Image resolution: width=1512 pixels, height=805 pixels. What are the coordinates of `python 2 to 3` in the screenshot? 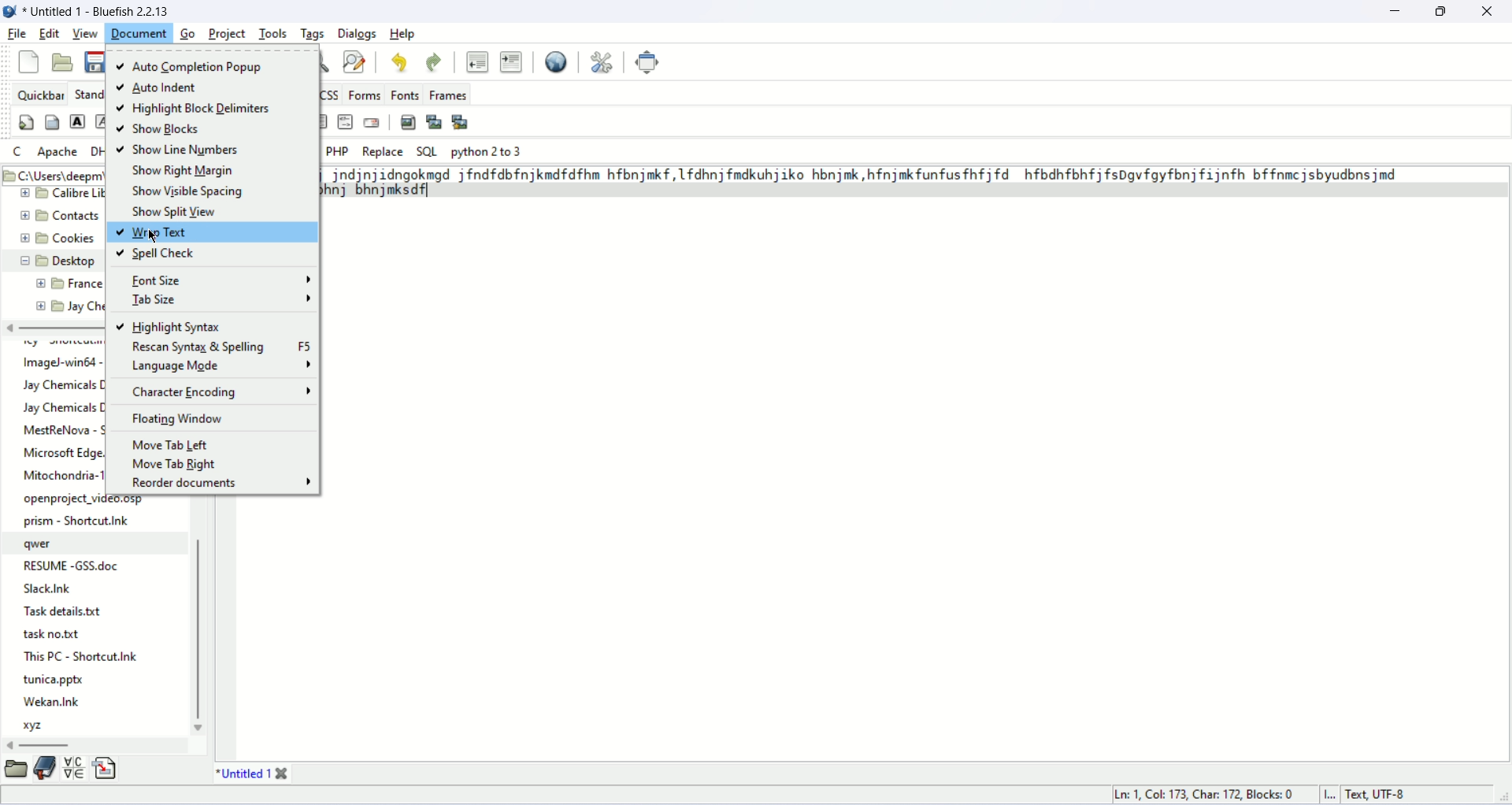 It's located at (487, 151).